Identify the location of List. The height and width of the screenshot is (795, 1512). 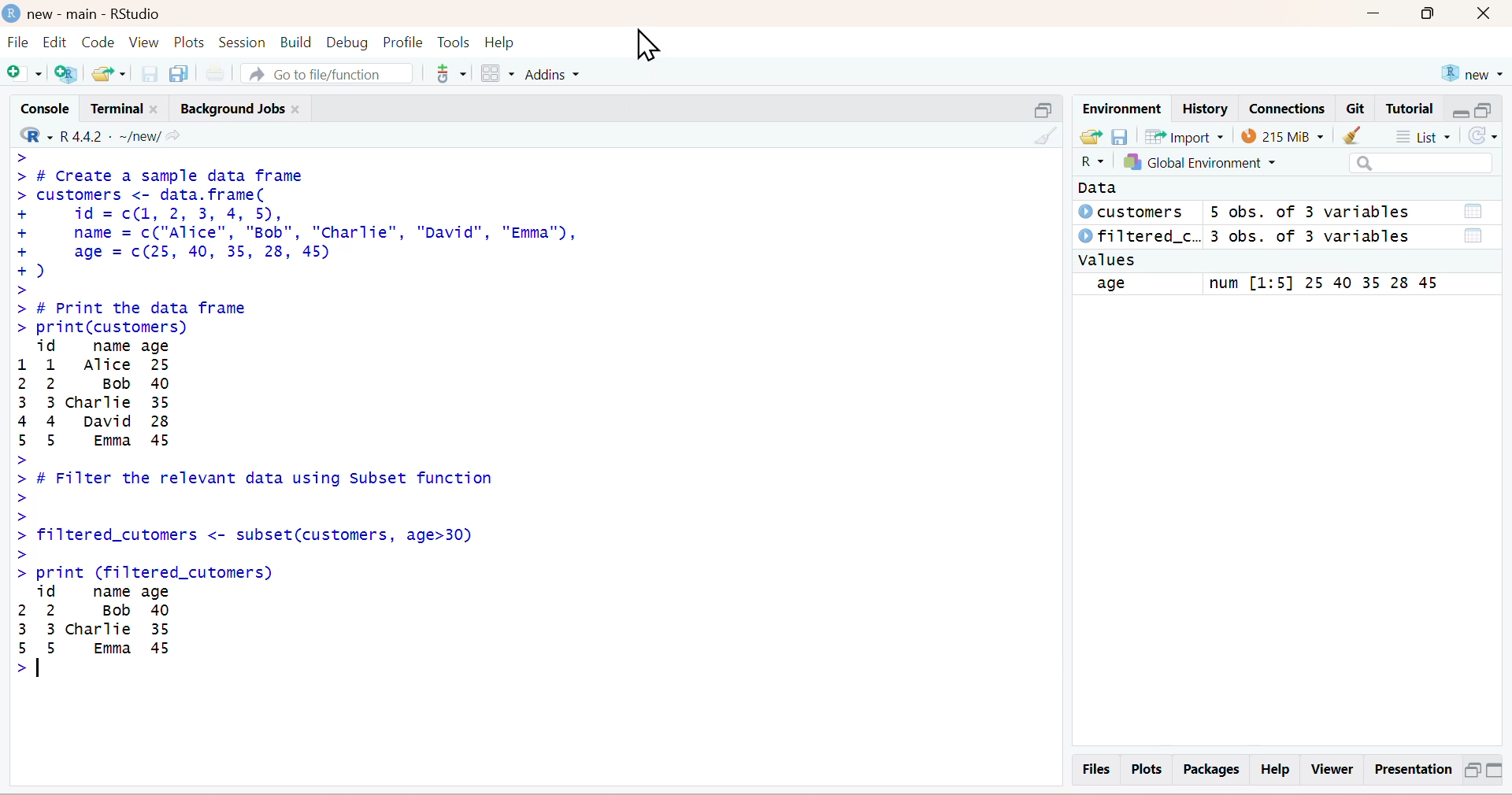
(1428, 136).